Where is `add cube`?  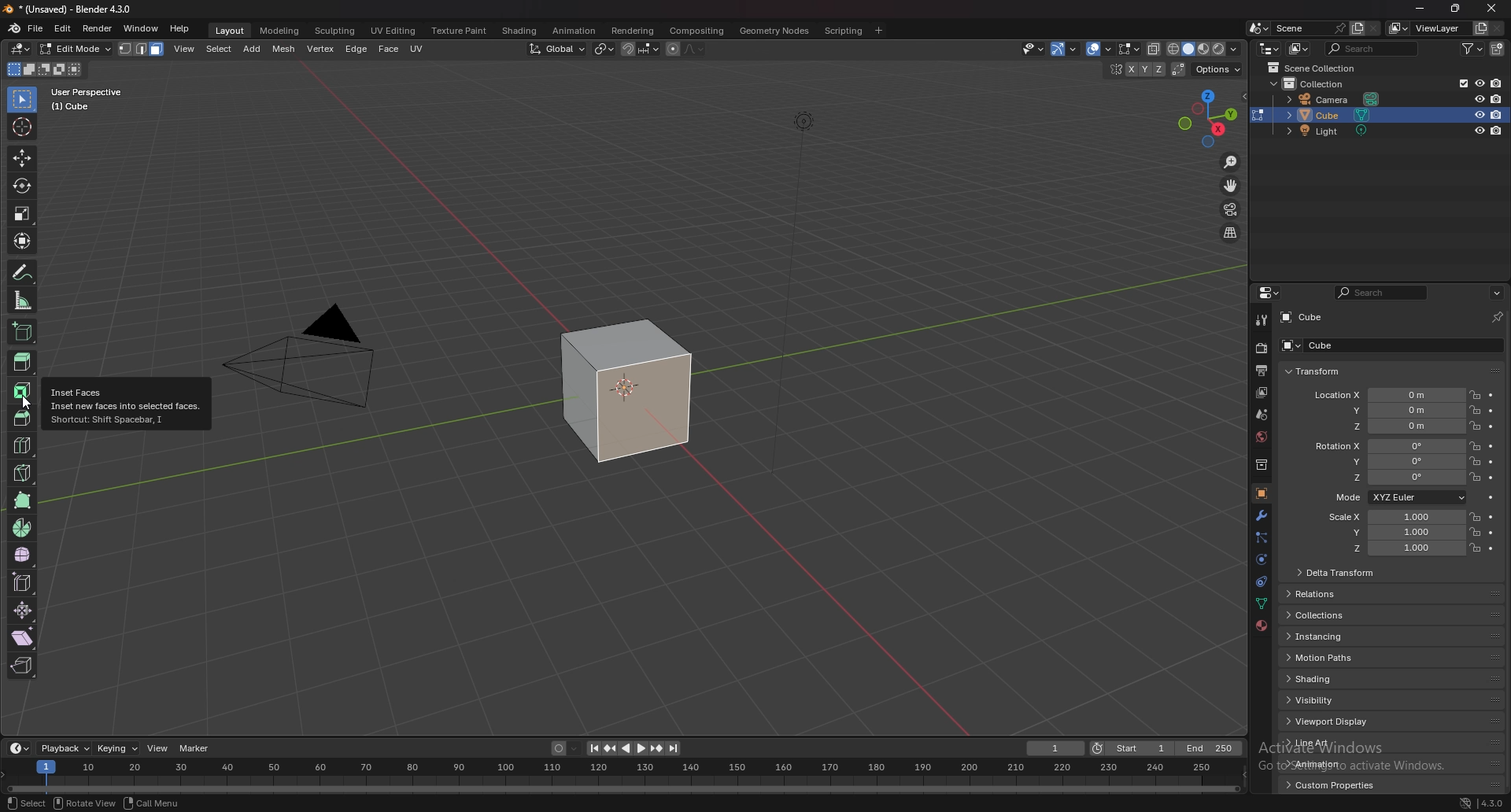 add cube is located at coordinates (22, 330).